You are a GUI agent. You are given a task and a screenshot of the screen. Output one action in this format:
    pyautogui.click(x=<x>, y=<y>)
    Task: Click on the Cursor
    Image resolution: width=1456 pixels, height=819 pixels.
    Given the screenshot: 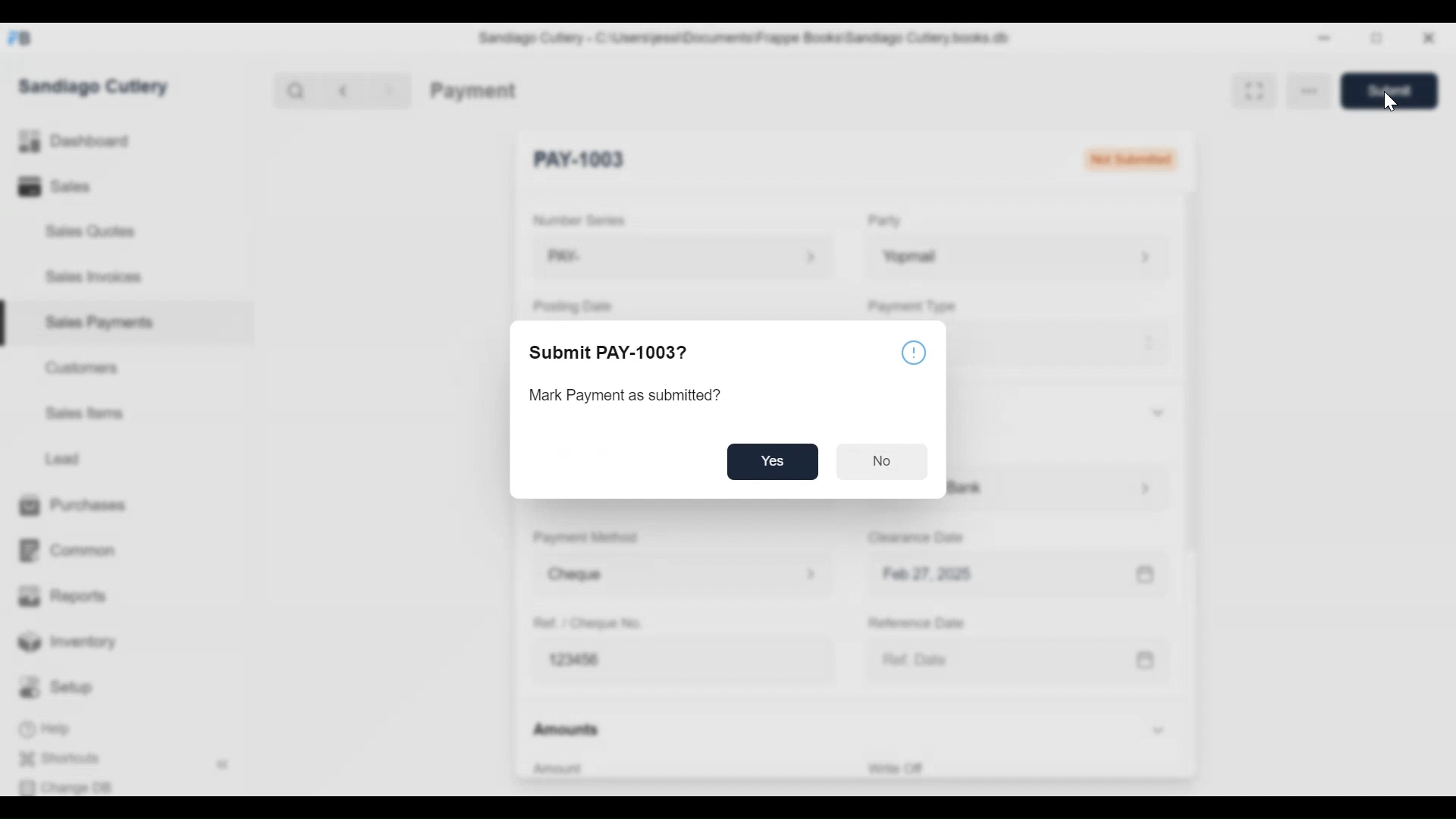 What is the action you would take?
    pyautogui.click(x=1389, y=101)
    